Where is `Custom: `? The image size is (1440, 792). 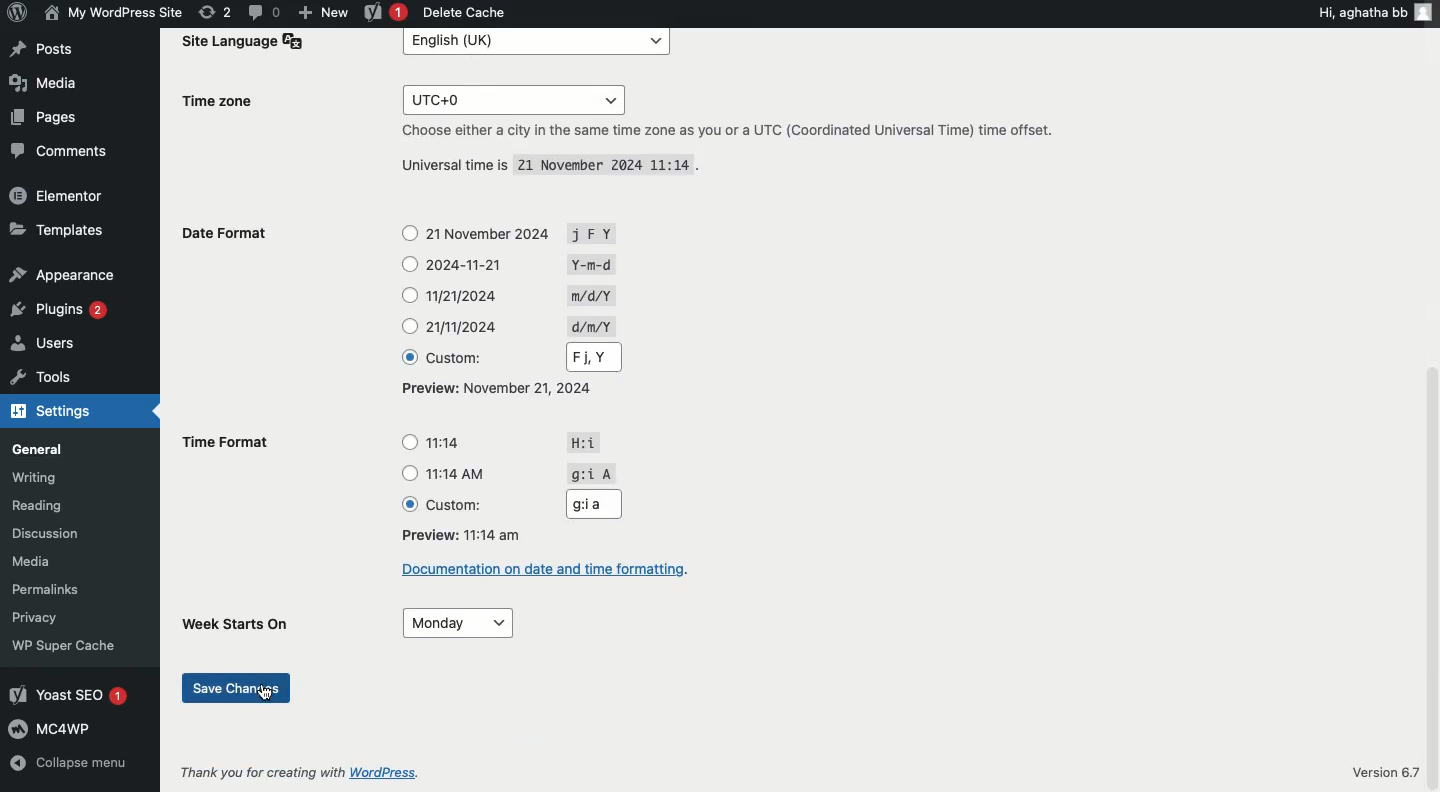 Custom:  is located at coordinates (455, 358).